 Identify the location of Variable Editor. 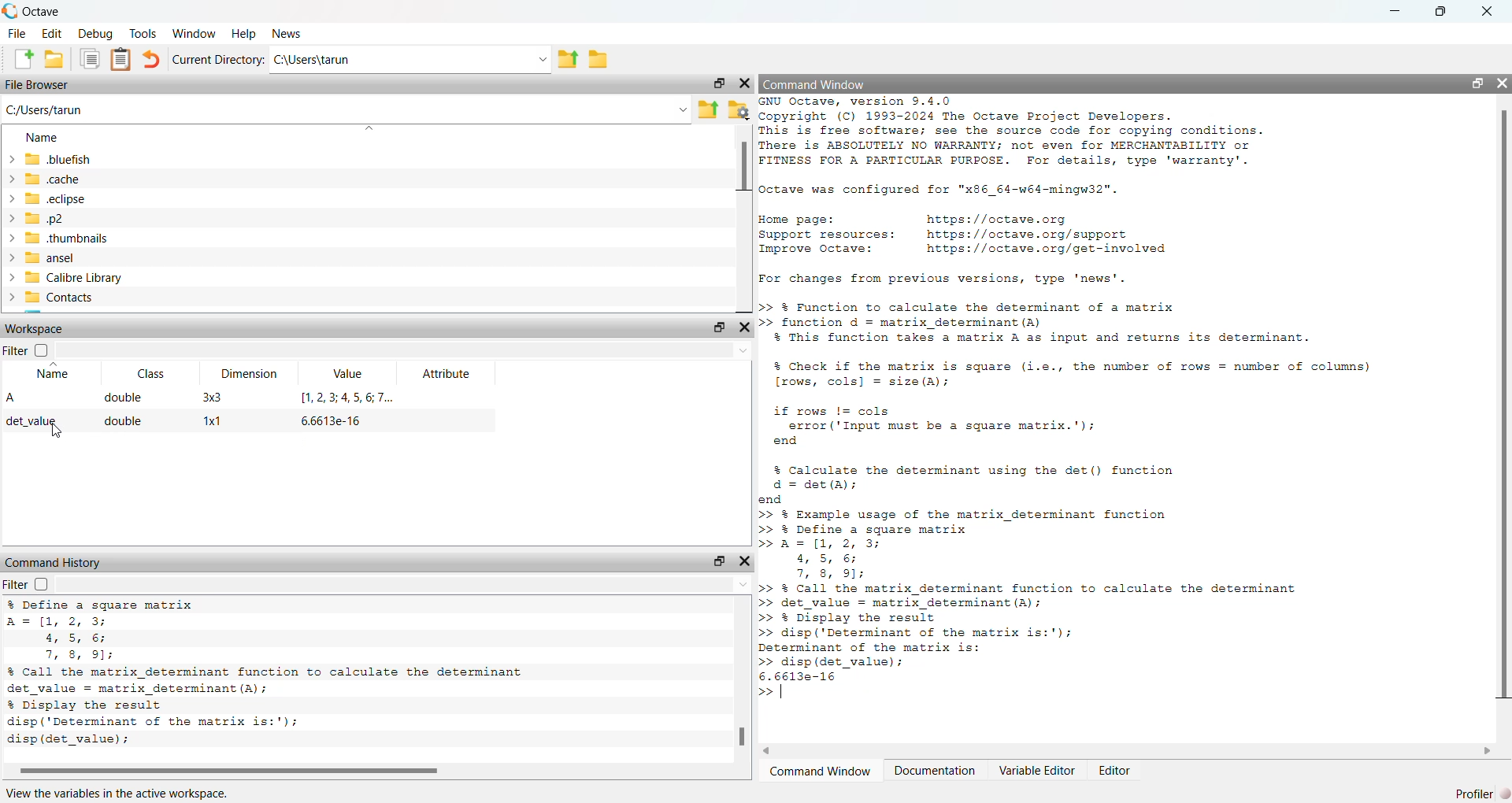
(1036, 768).